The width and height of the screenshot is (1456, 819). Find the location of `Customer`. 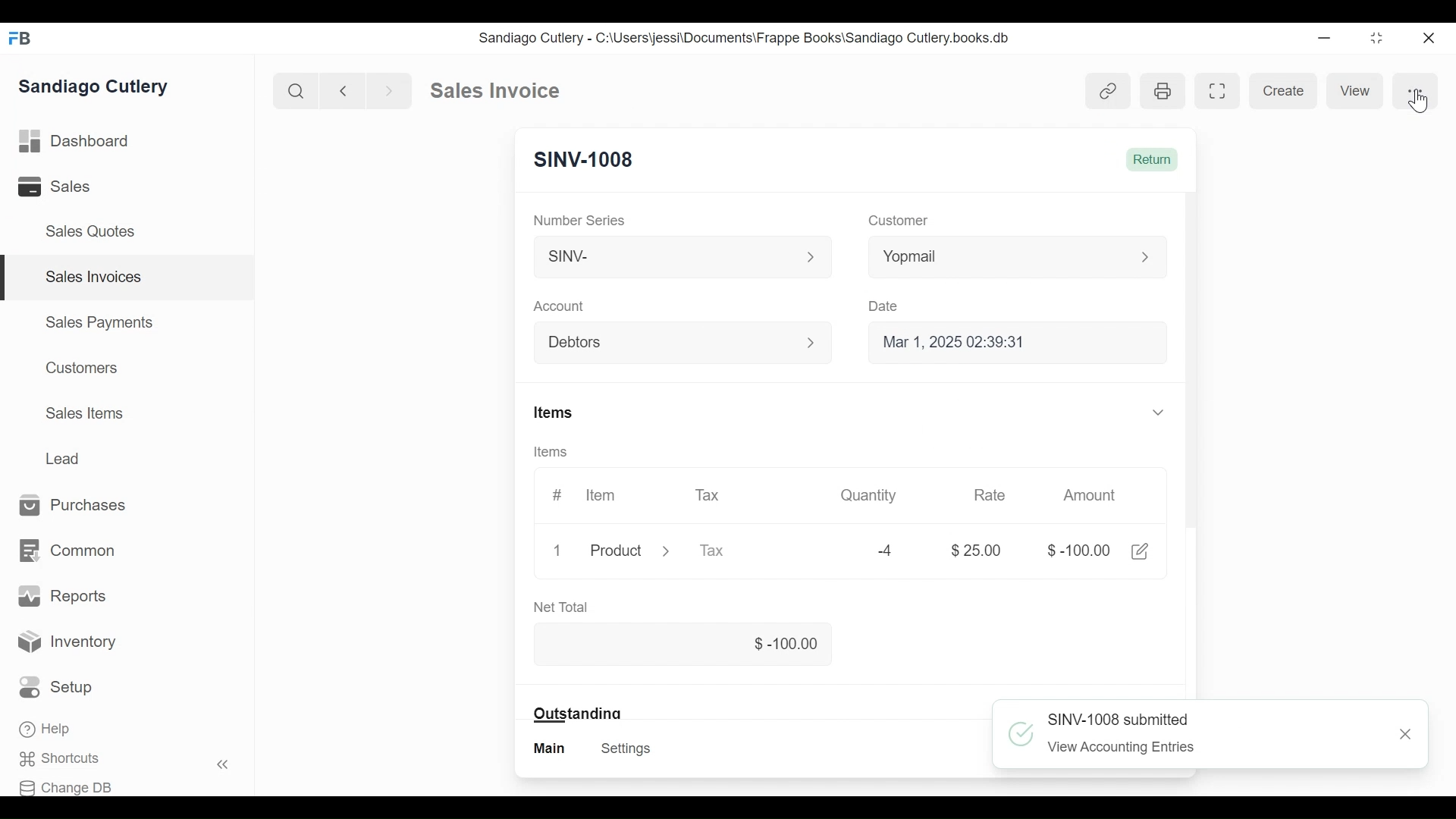

Customer is located at coordinates (901, 219).